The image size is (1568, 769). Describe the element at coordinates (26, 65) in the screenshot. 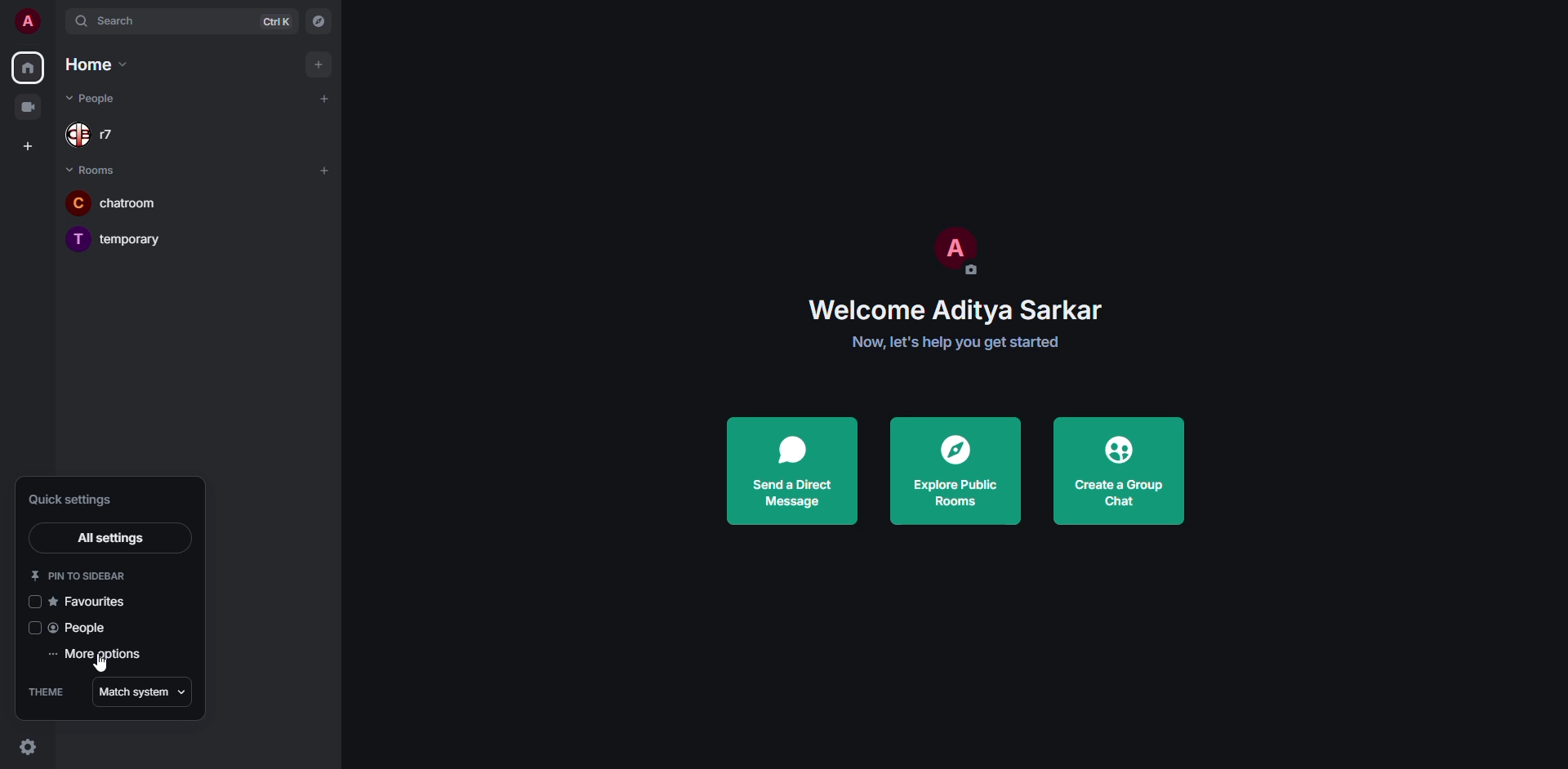

I see `home` at that location.